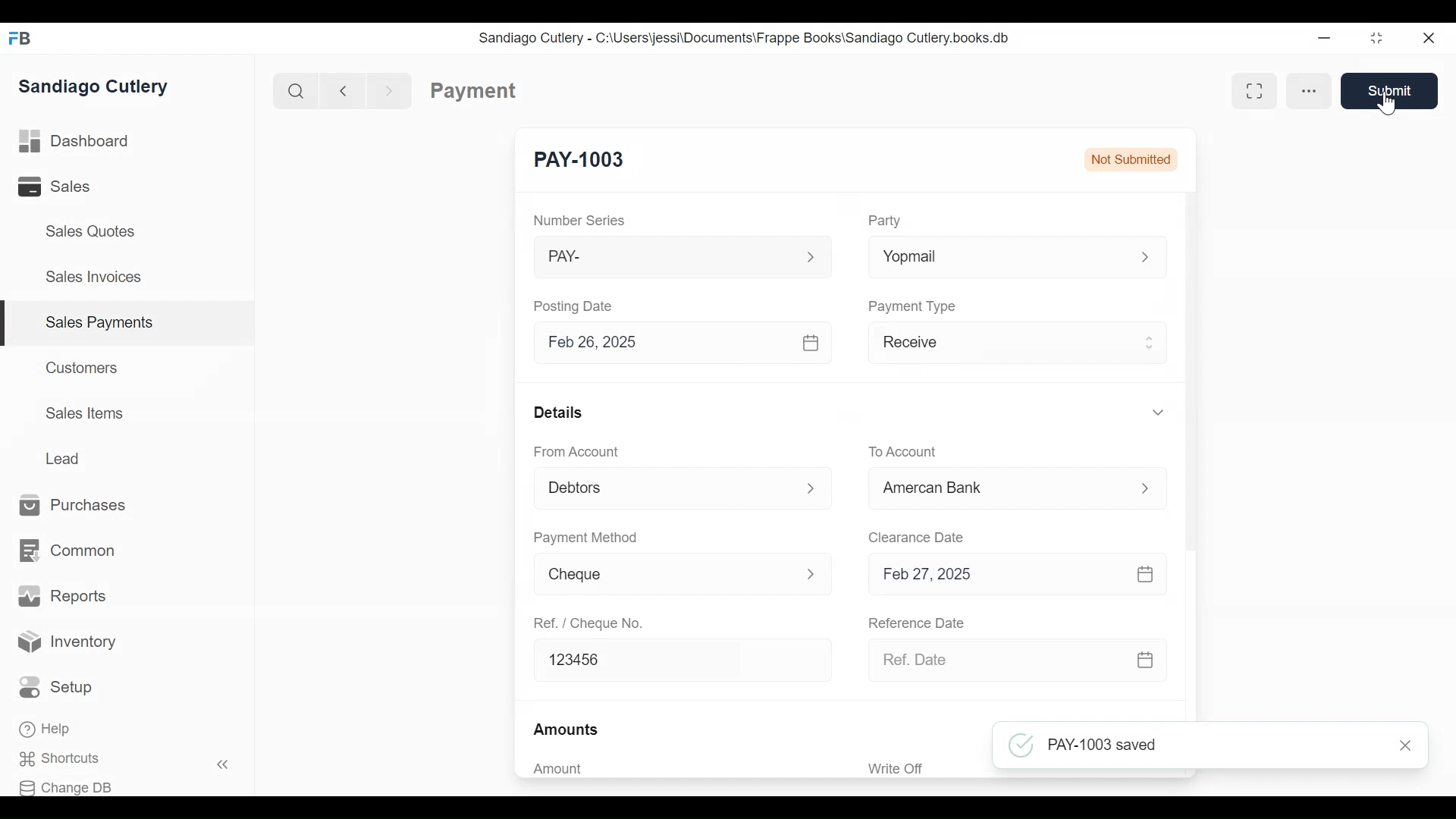 This screenshot has width=1456, height=819. Describe the element at coordinates (1001, 489) in the screenshot. I see `American Bank` at that location.